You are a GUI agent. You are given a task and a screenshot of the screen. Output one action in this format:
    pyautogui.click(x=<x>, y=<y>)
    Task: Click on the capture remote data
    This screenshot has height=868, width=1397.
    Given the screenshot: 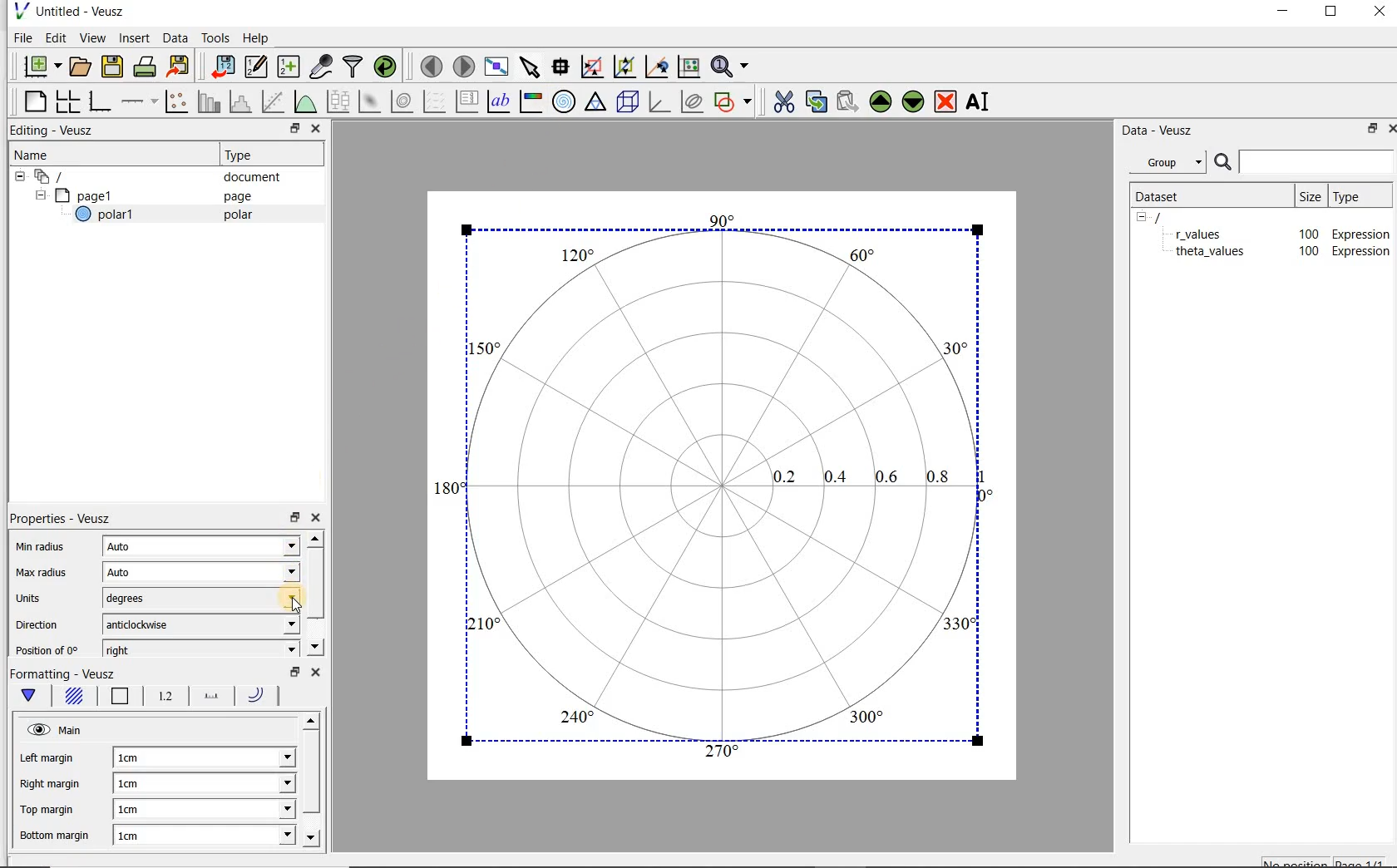 What is the action you would take?
    pyautogui.click(x=322, y=69)
    